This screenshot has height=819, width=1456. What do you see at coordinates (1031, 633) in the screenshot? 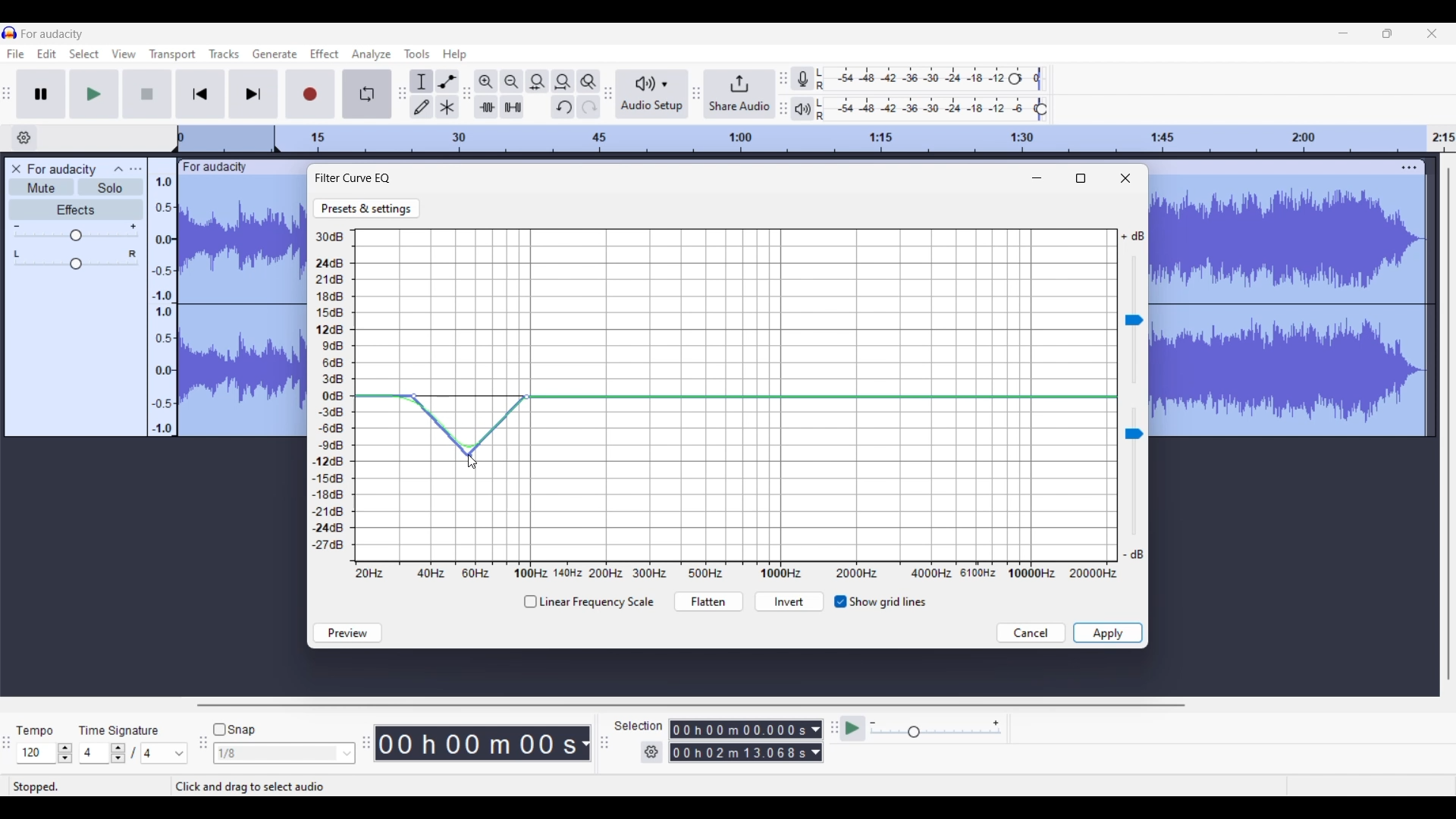
I see `Discard inputs made` at bounding box center [1031, 633].